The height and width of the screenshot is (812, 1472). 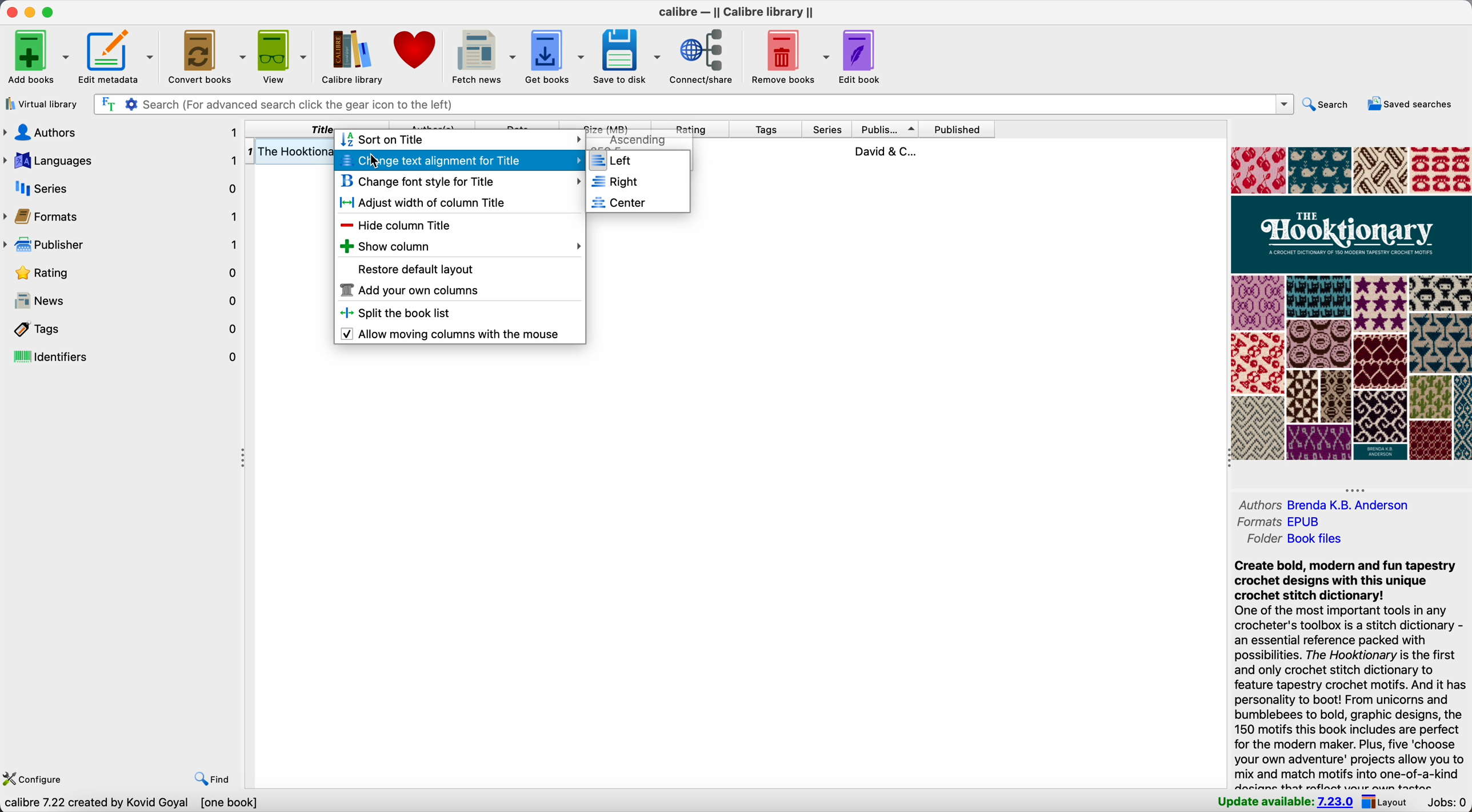 What do you see at coordinates (459, 182) in the screenshot?
I see `change font style for title` at bounding box center [459, 182].